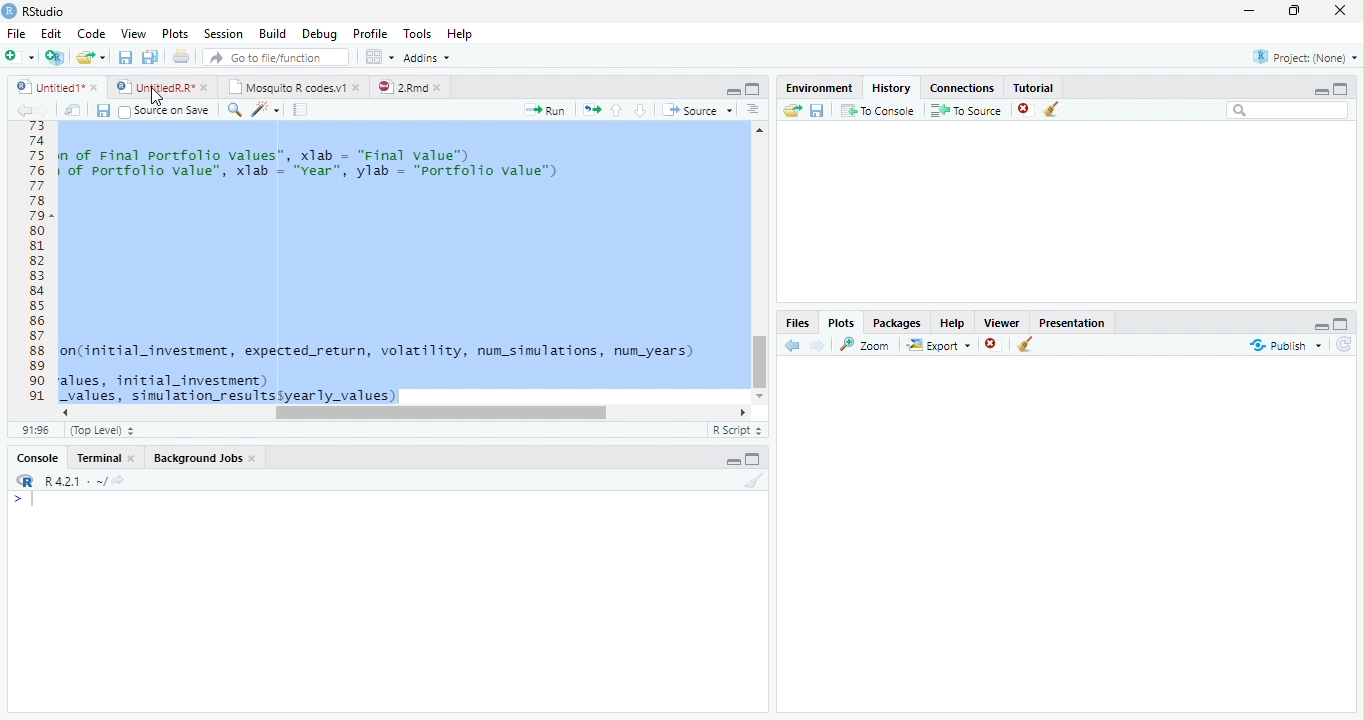  Describe the element at coordinates (1285, 345) in the screenshot. I see `publish` at that location.